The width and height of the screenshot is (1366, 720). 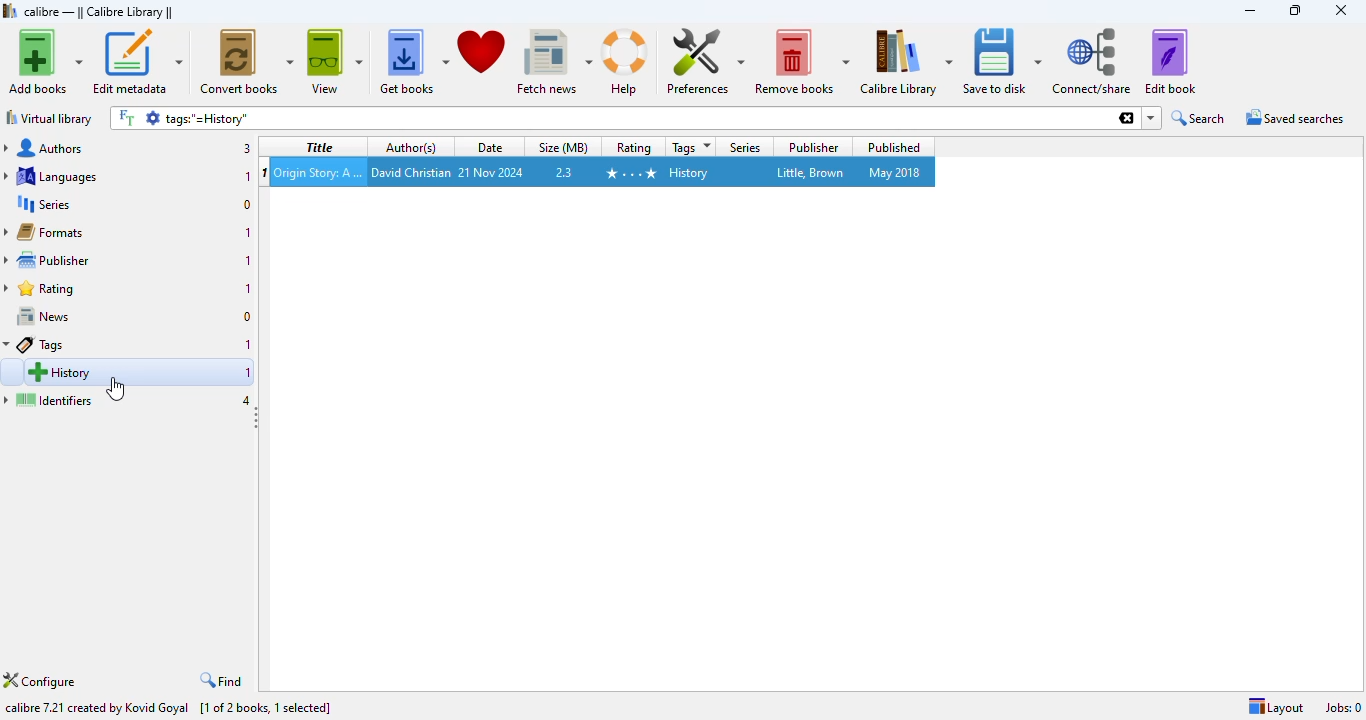 I want to click on news, so click(x=43, y=315).